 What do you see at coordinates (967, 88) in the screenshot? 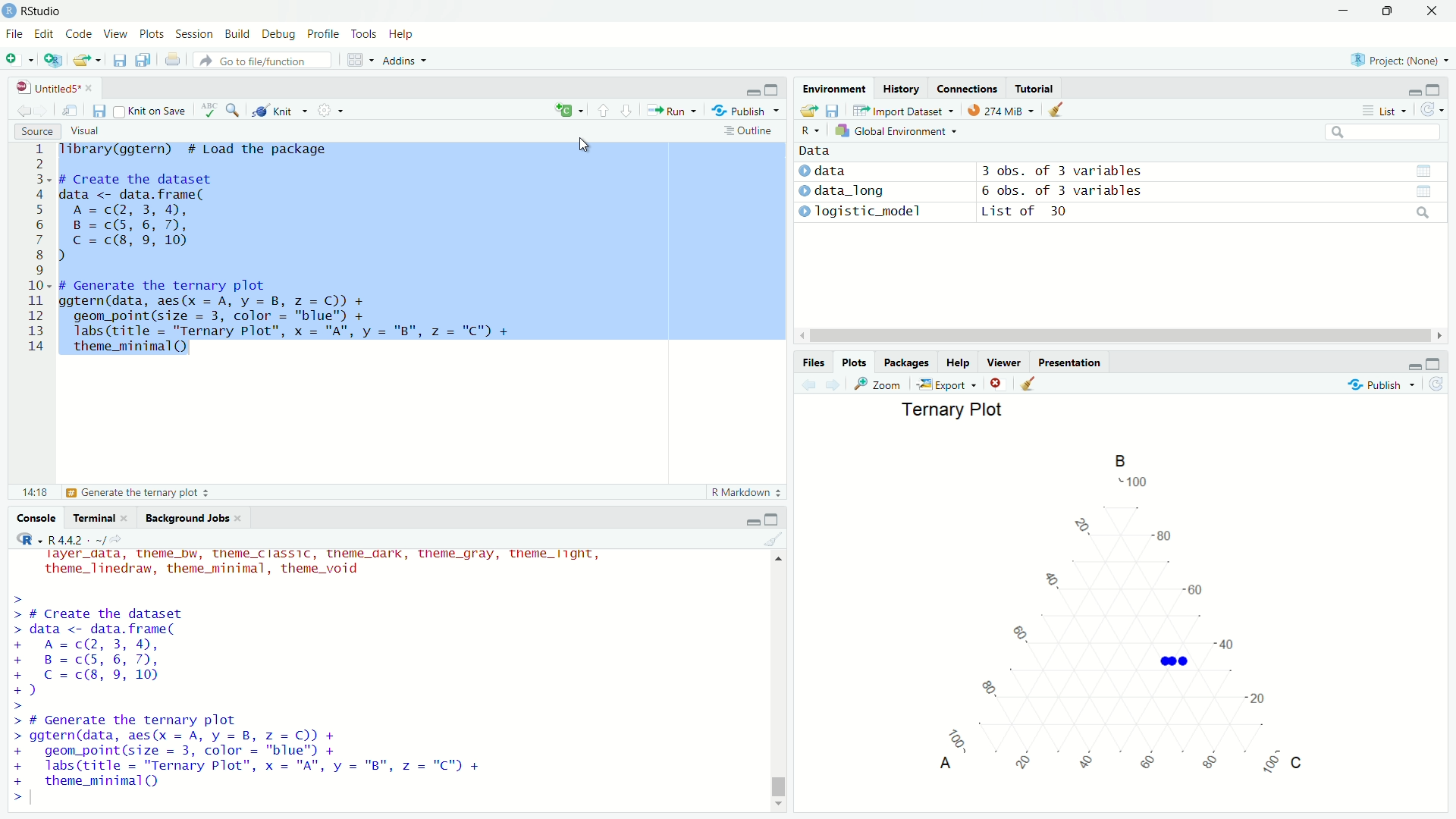
I see `Connections` at bounding box center [967, 88].